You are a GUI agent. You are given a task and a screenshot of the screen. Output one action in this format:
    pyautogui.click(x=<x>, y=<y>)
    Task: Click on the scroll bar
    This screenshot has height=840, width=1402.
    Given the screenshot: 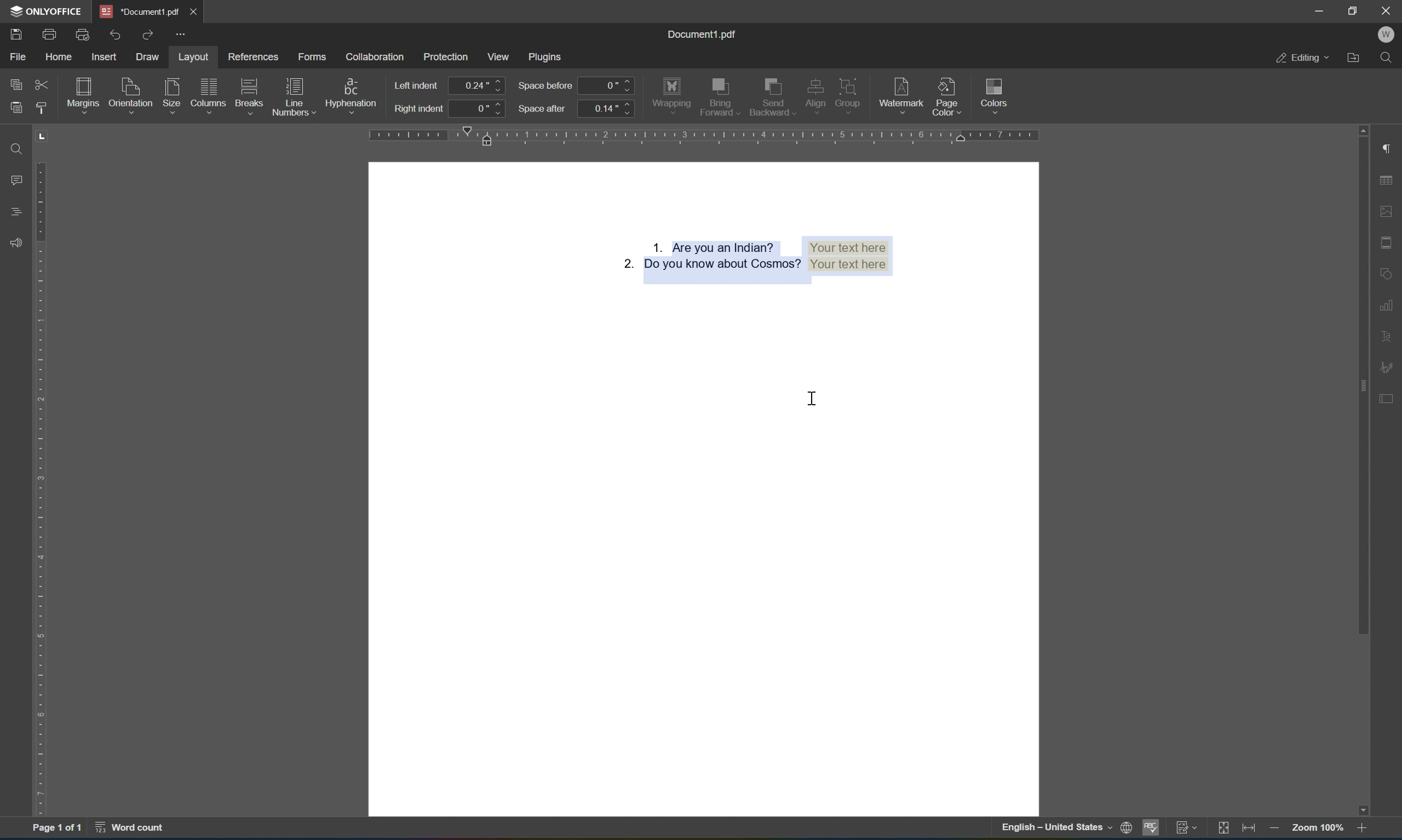 What is the action you would take?
    pyautogui.click(x=1365, y=380)
    